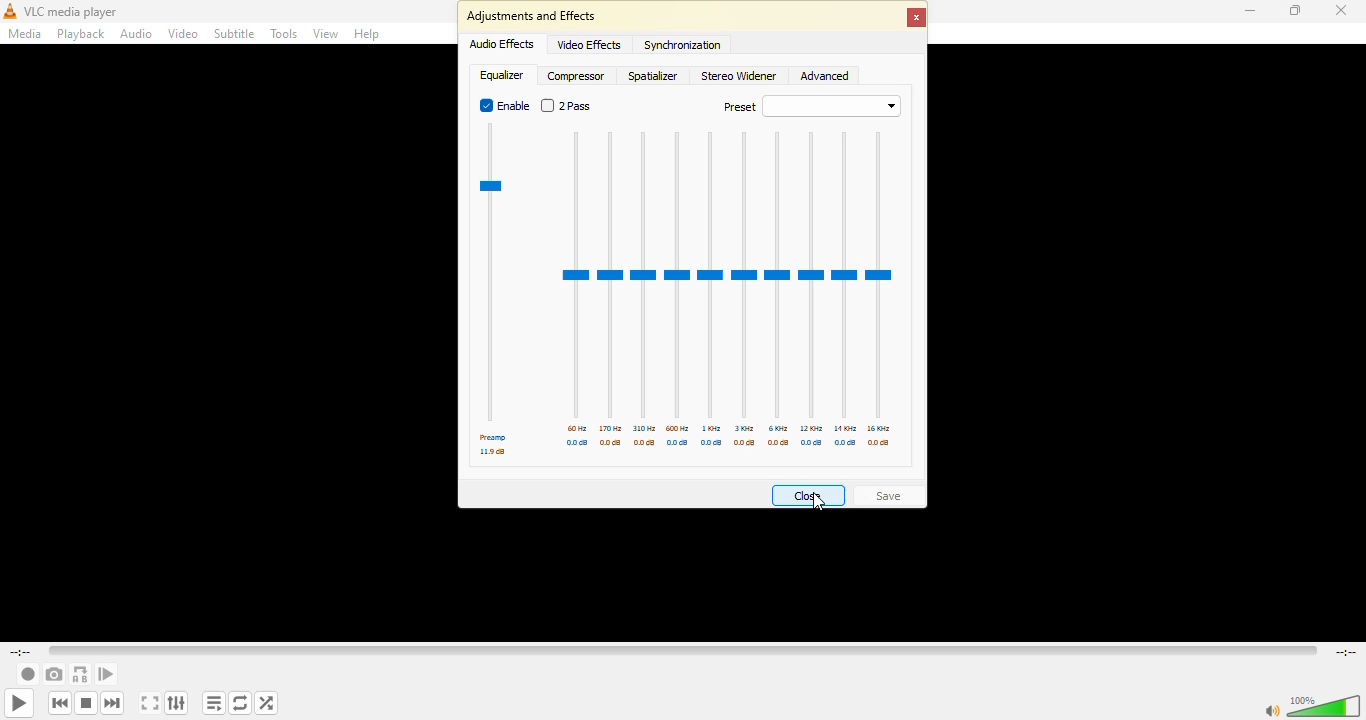 Image resolution: width=1366 pixels, height=720 pixels. I want to click on preamp meter, so click(492, 189).